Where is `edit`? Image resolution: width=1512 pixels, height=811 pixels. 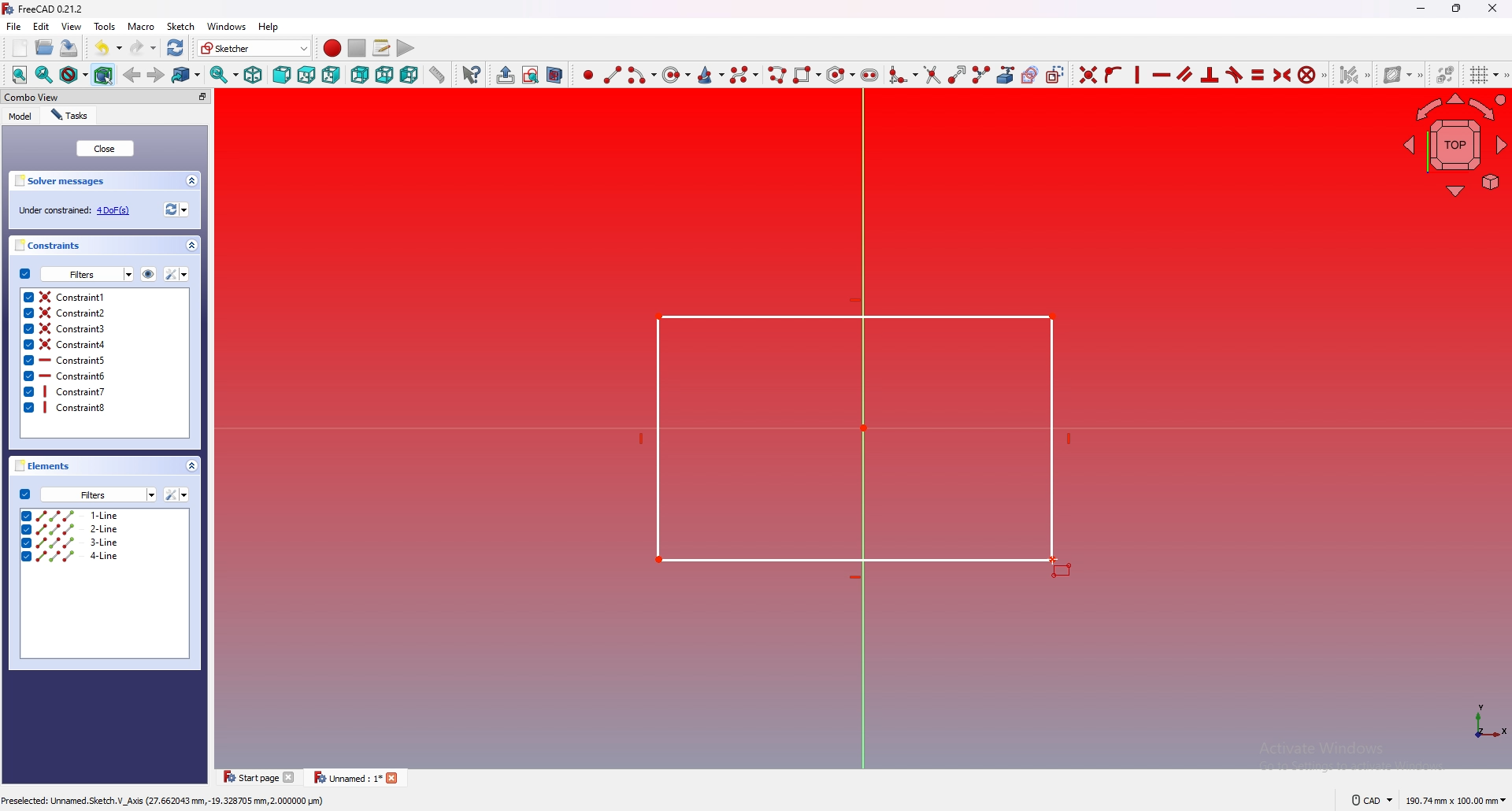 edit is located at coordinates (41, 26).